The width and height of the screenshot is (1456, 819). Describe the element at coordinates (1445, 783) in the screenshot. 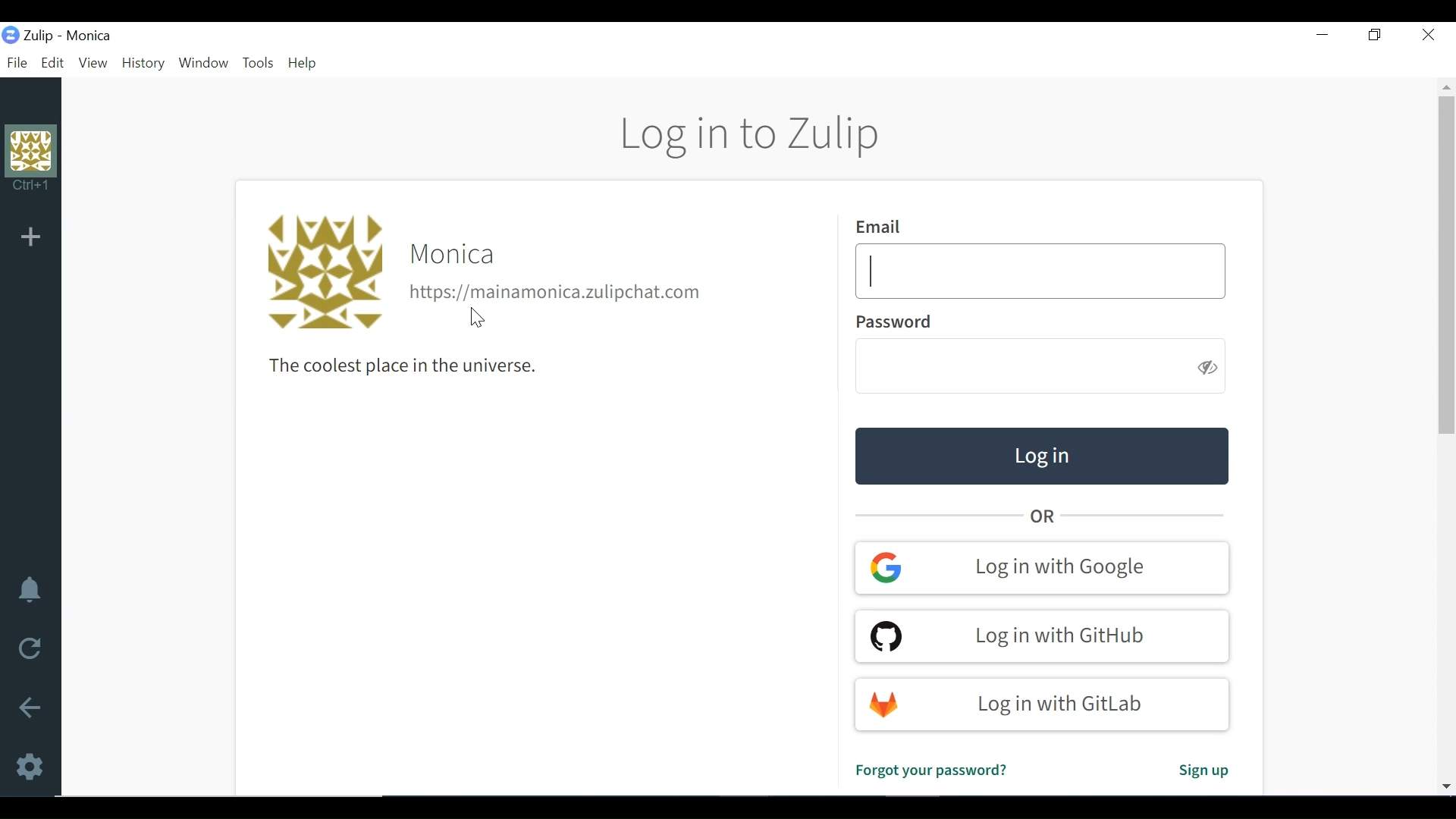

I see `Scroll down` at that location.